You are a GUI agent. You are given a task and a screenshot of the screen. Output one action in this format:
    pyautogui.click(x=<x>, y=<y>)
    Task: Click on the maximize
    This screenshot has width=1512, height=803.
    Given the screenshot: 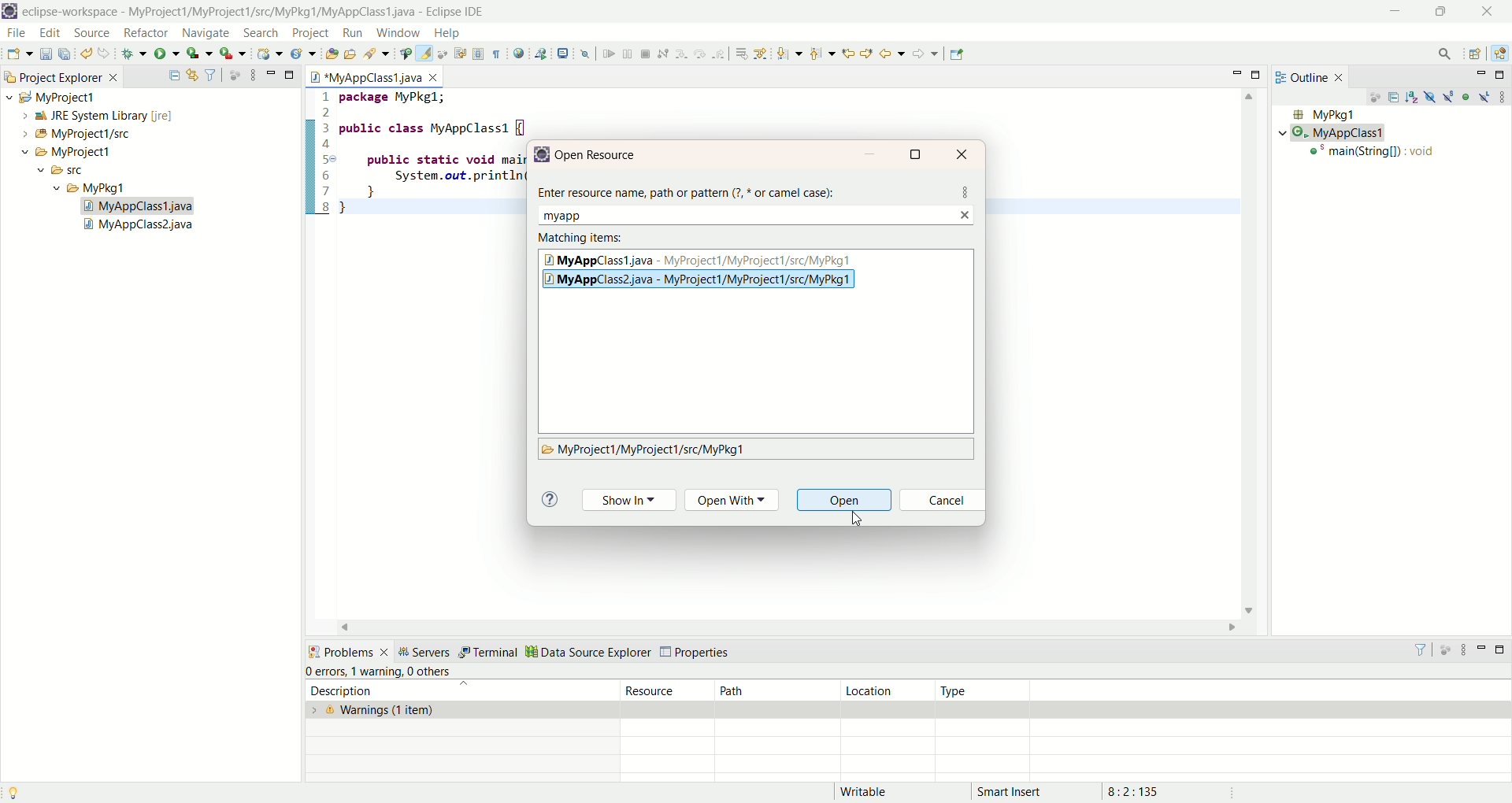 What is the action you would take?
    pyautogui.click(x=291, y=73)
    